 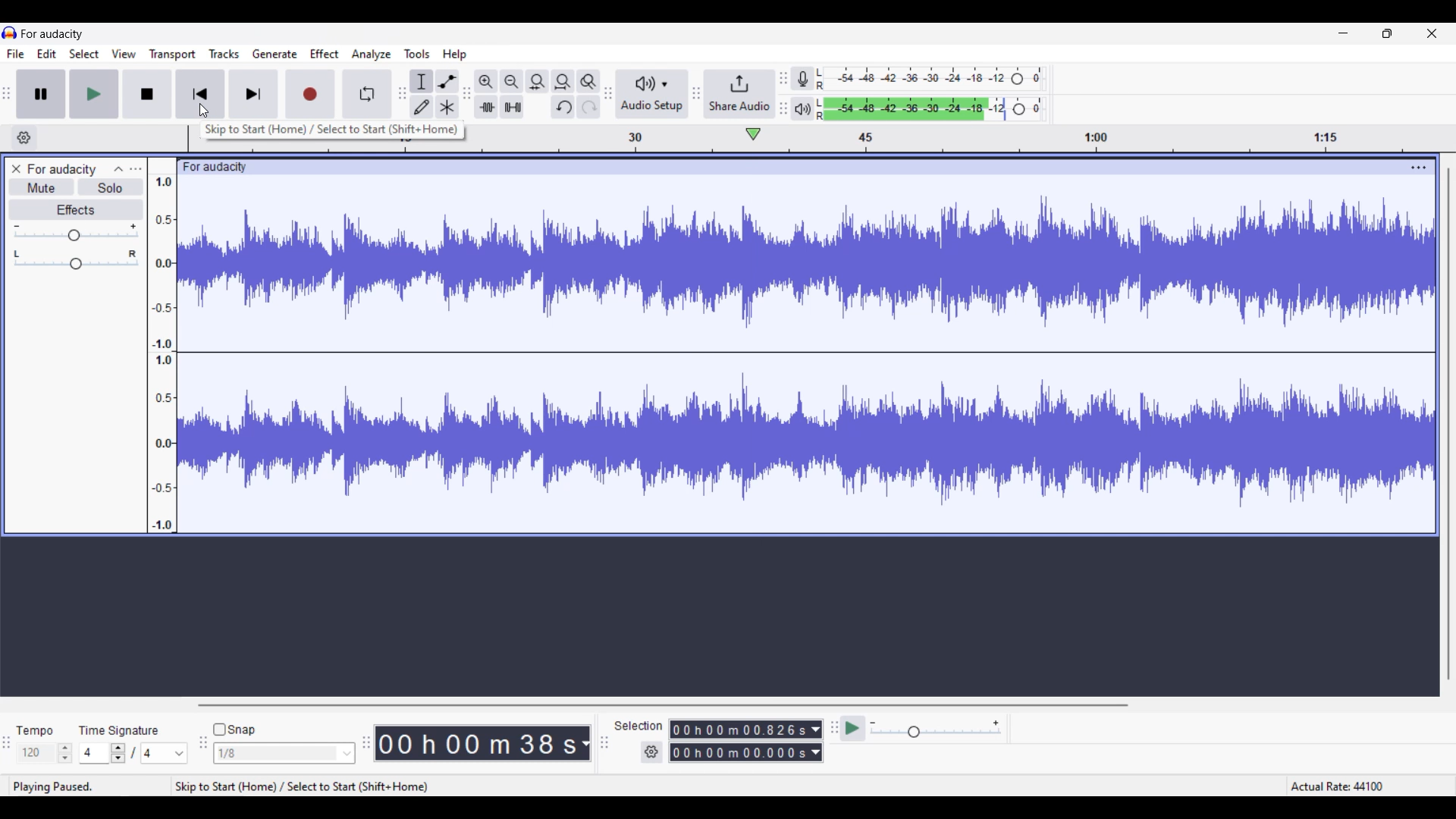 What do you see at coordinates (77, 210) in the screenshot?
I see `Effects` at bounding box center [77, 210].